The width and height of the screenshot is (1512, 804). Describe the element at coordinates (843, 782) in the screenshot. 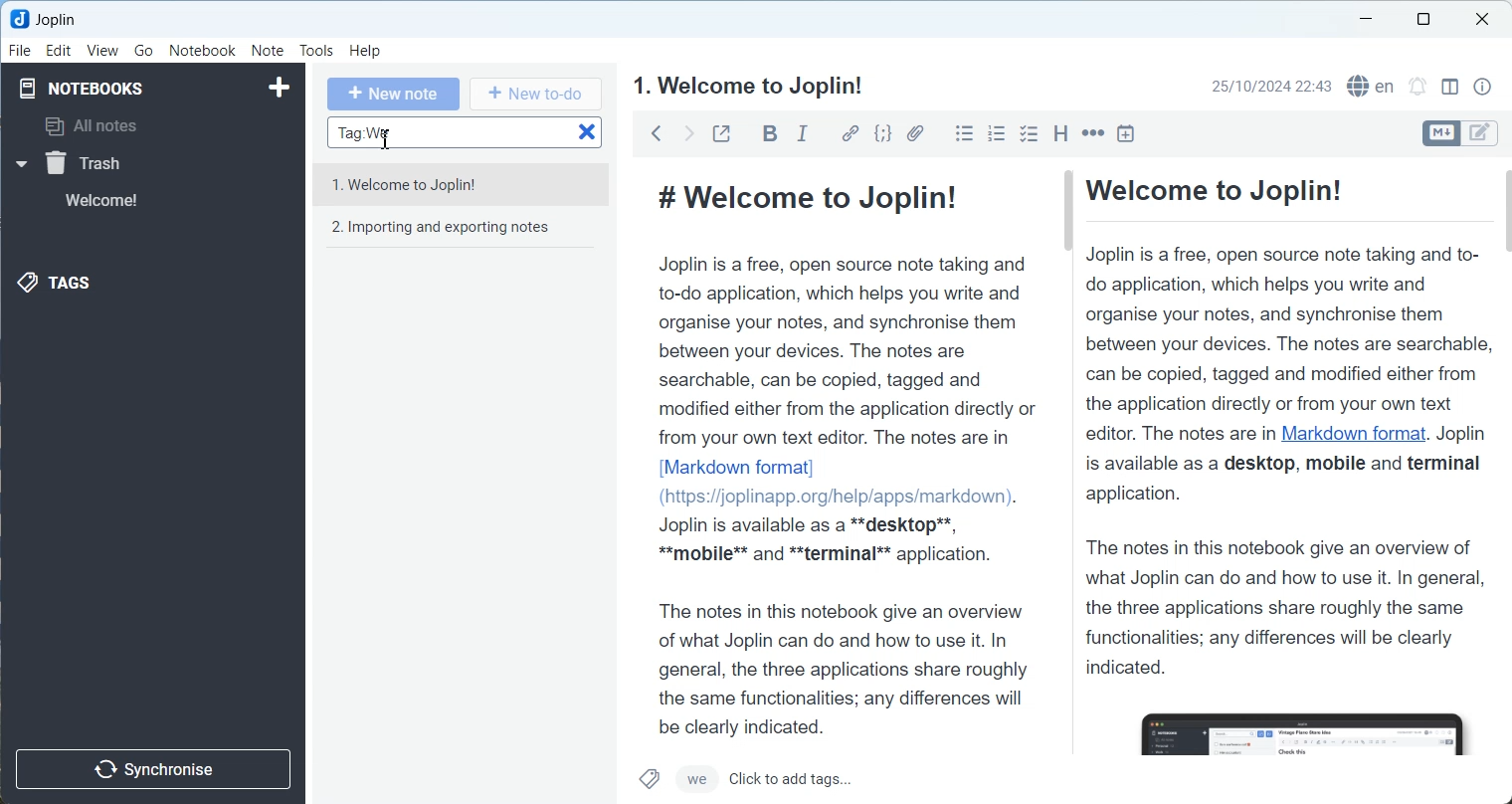

I see `Click to add tags` at that location.